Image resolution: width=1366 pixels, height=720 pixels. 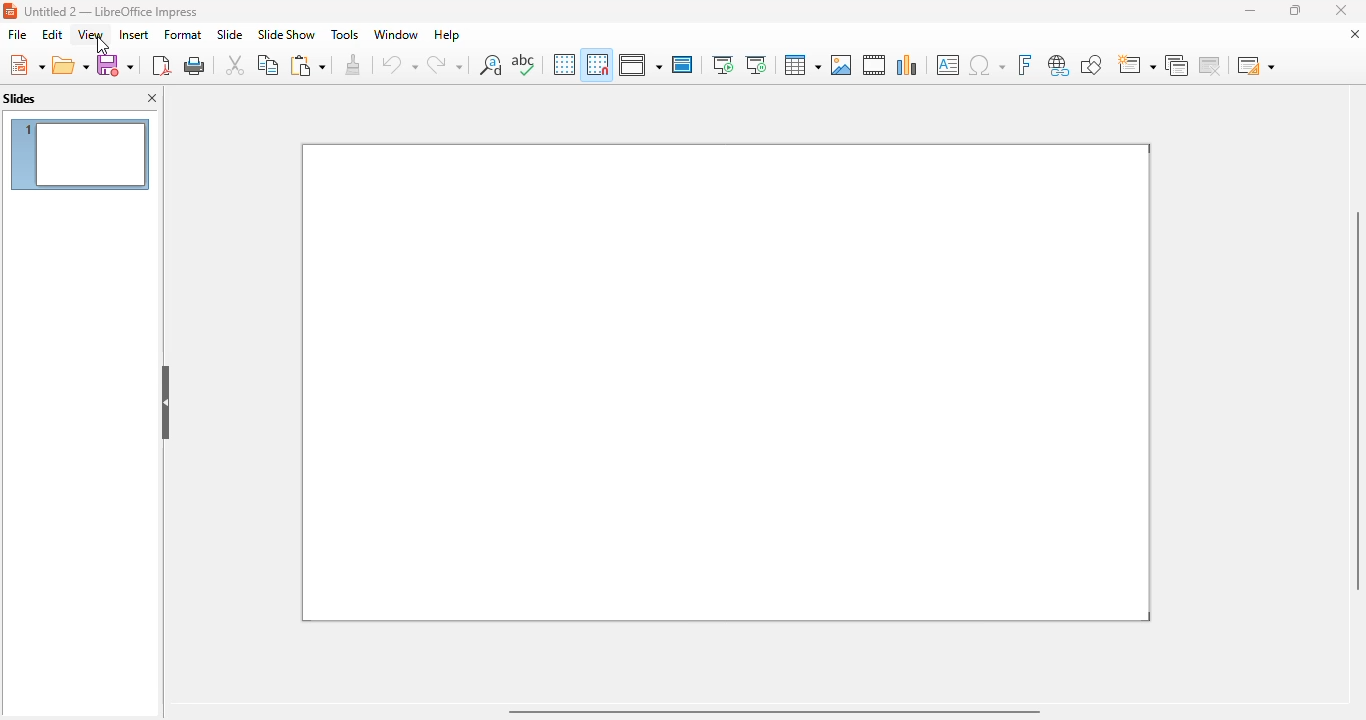 What do you see at coordinates (81, 154) in the screenshot?
I see `slide 1` at bounding box center [81, 154].